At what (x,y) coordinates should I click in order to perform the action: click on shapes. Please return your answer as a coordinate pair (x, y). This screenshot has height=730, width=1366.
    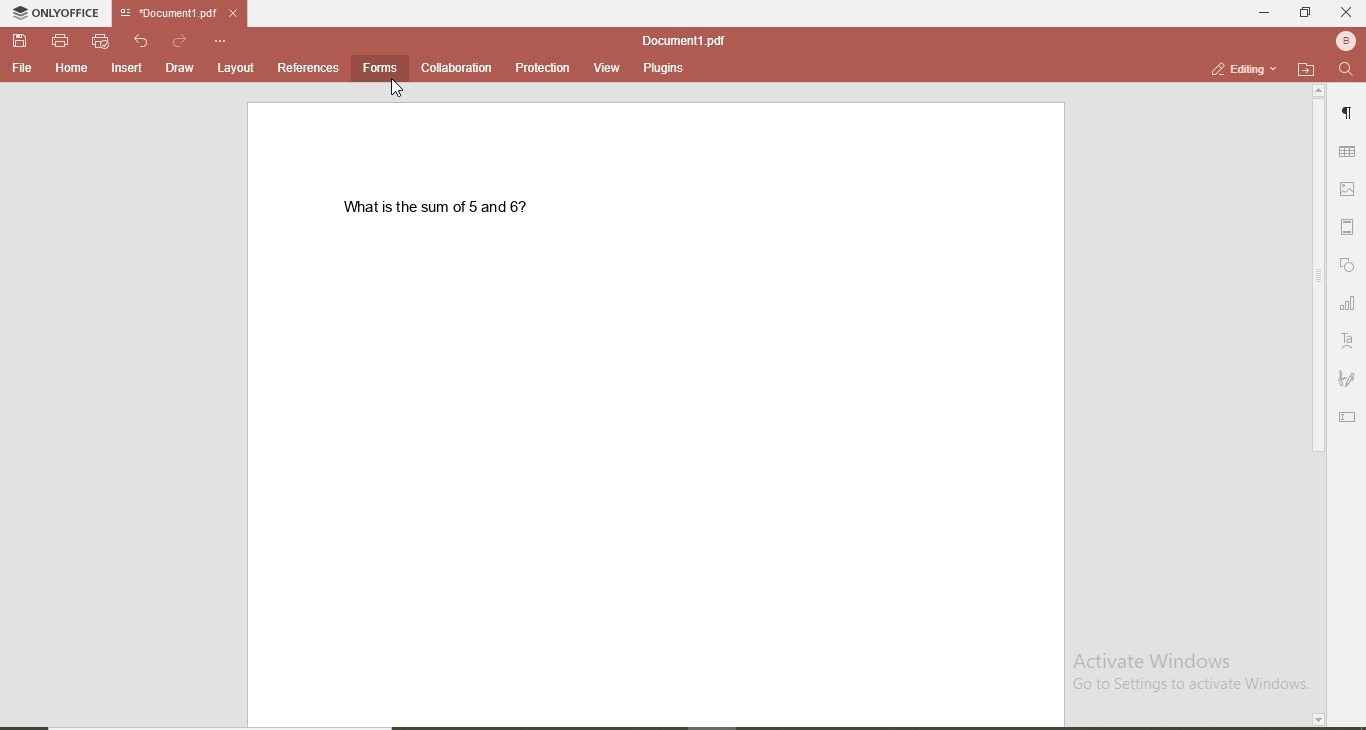
    Looking at the image, I should click on (1350, 265).